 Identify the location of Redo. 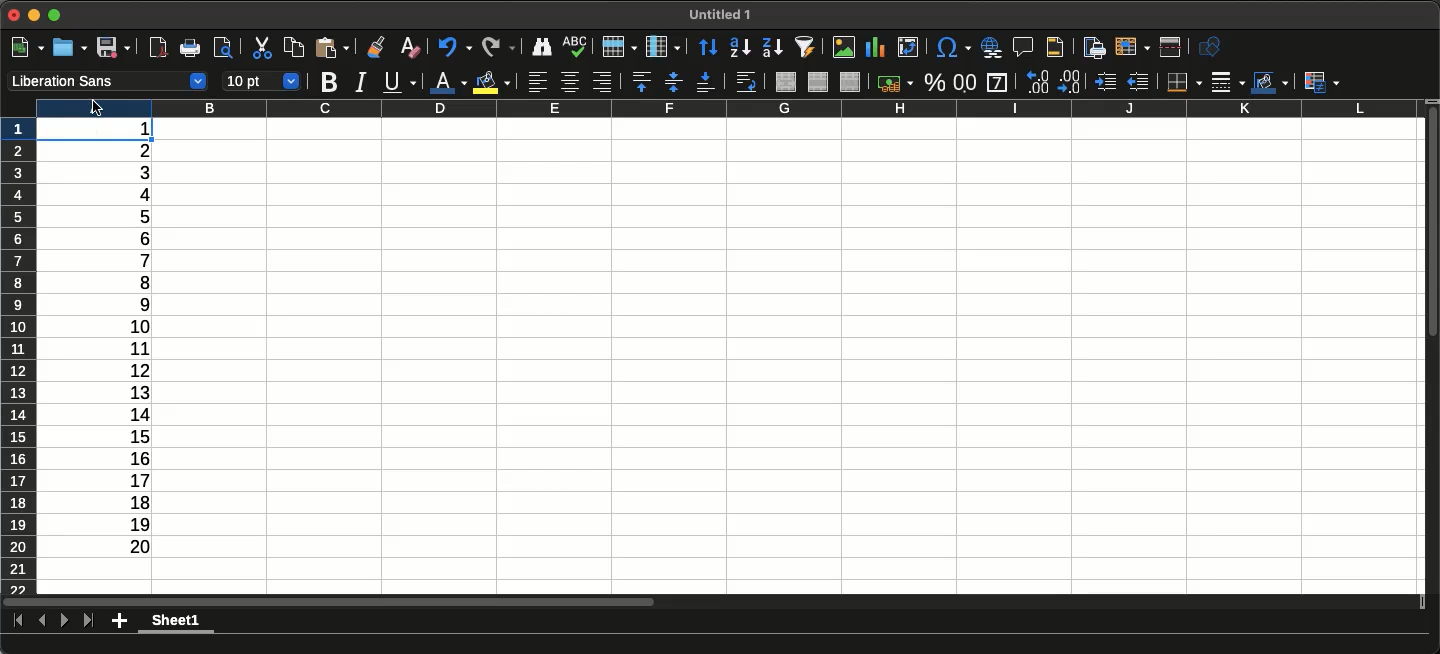
(497, 45).